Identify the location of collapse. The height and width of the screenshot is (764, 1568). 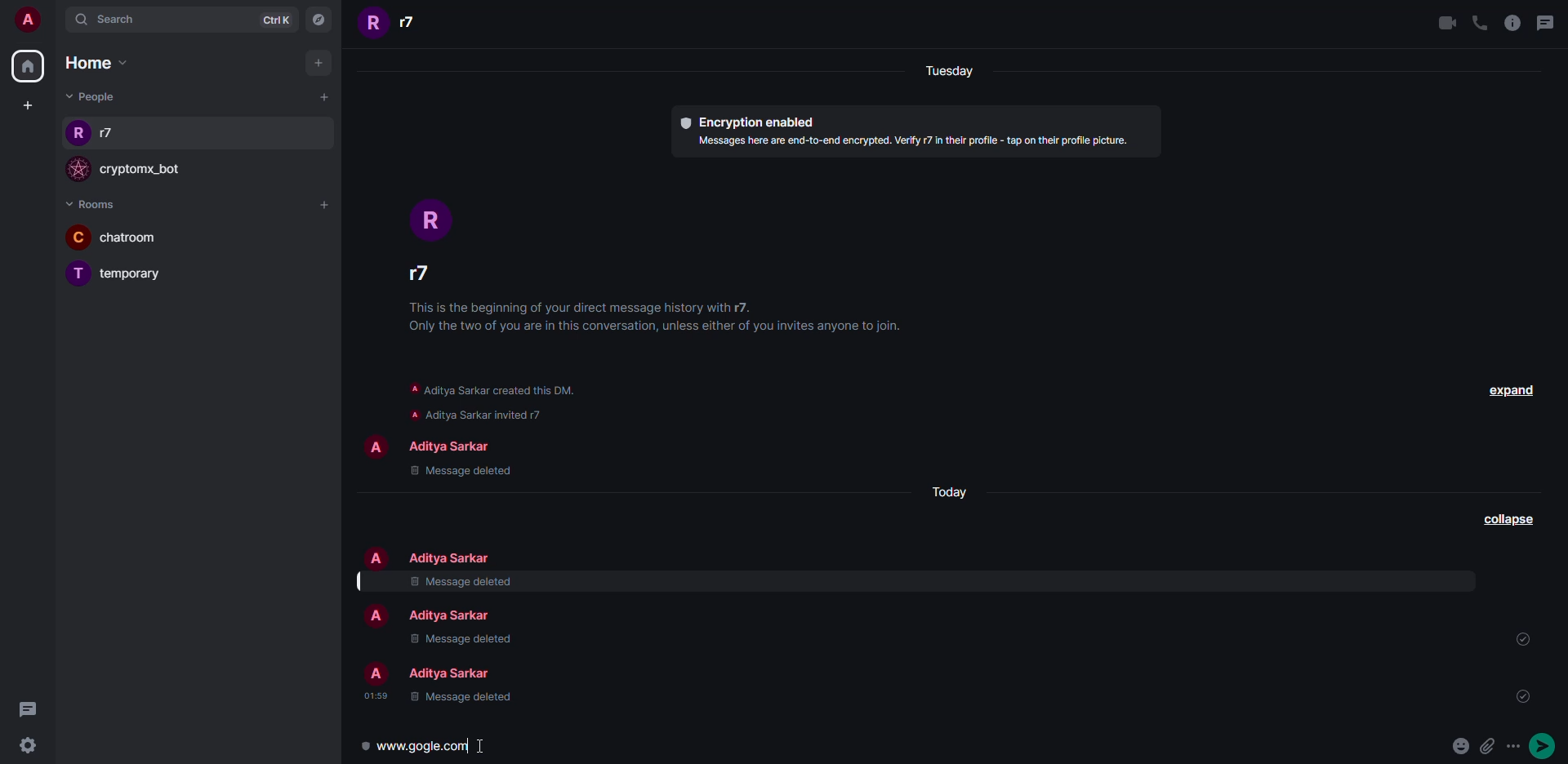
(1504, 519).